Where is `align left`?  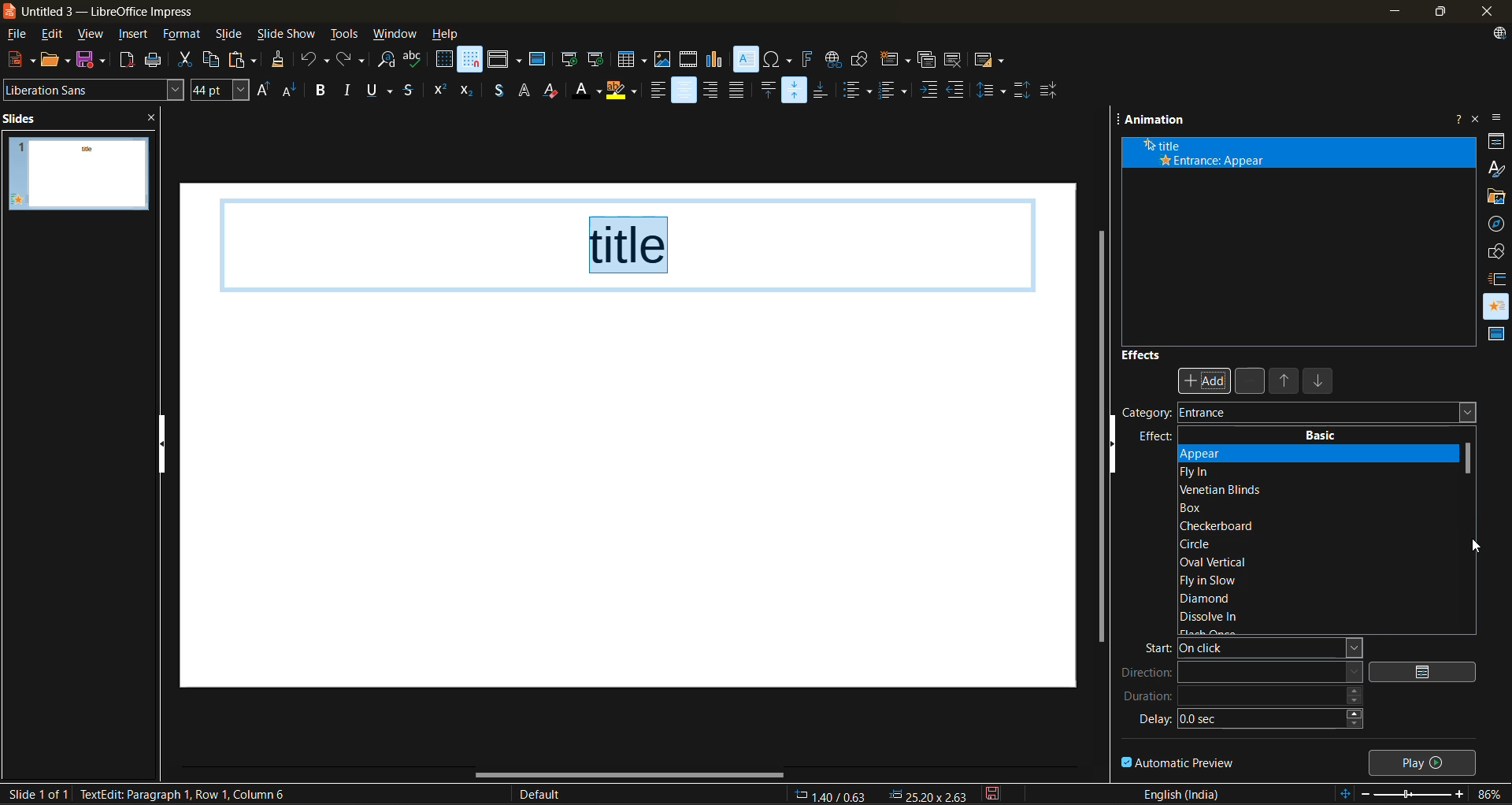
align left is located at coordinates (655, 93).